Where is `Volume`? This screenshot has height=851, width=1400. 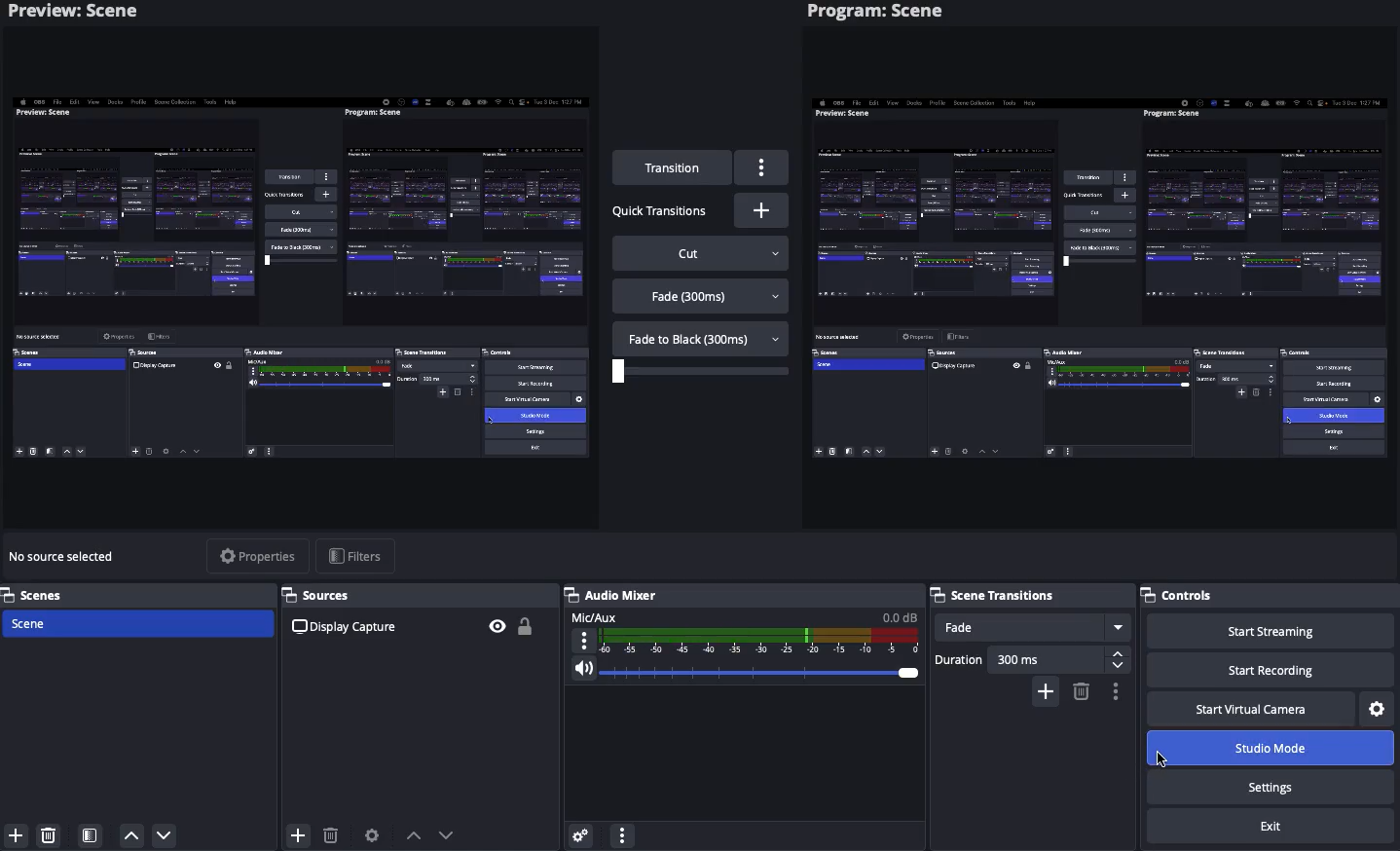 Volume is located at coordinates (742, 673).